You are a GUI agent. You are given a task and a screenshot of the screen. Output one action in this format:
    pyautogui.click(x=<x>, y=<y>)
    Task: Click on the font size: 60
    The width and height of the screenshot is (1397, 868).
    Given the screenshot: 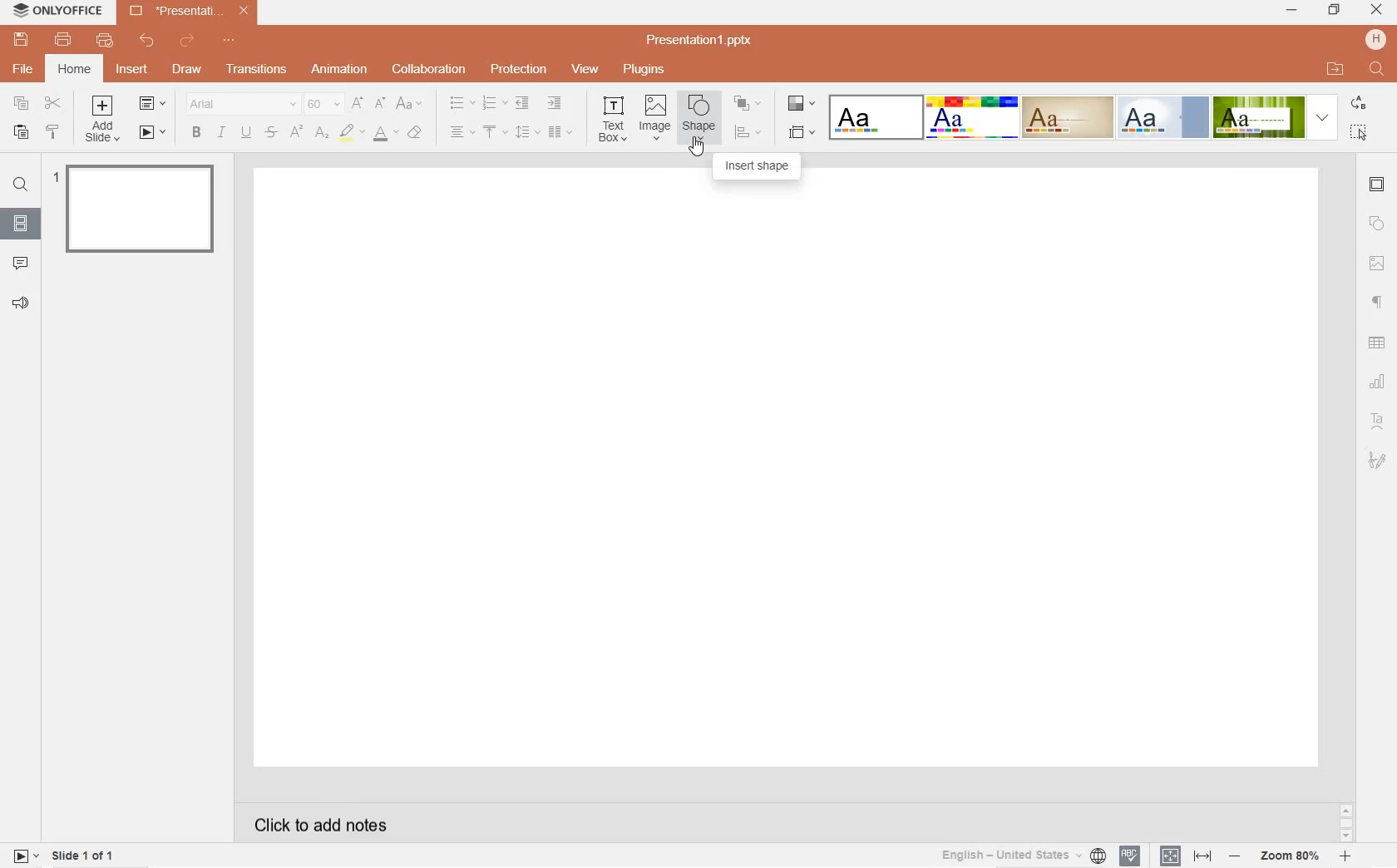 What is the action you would take?
    pyautogui.click(x=322, y=106)
    